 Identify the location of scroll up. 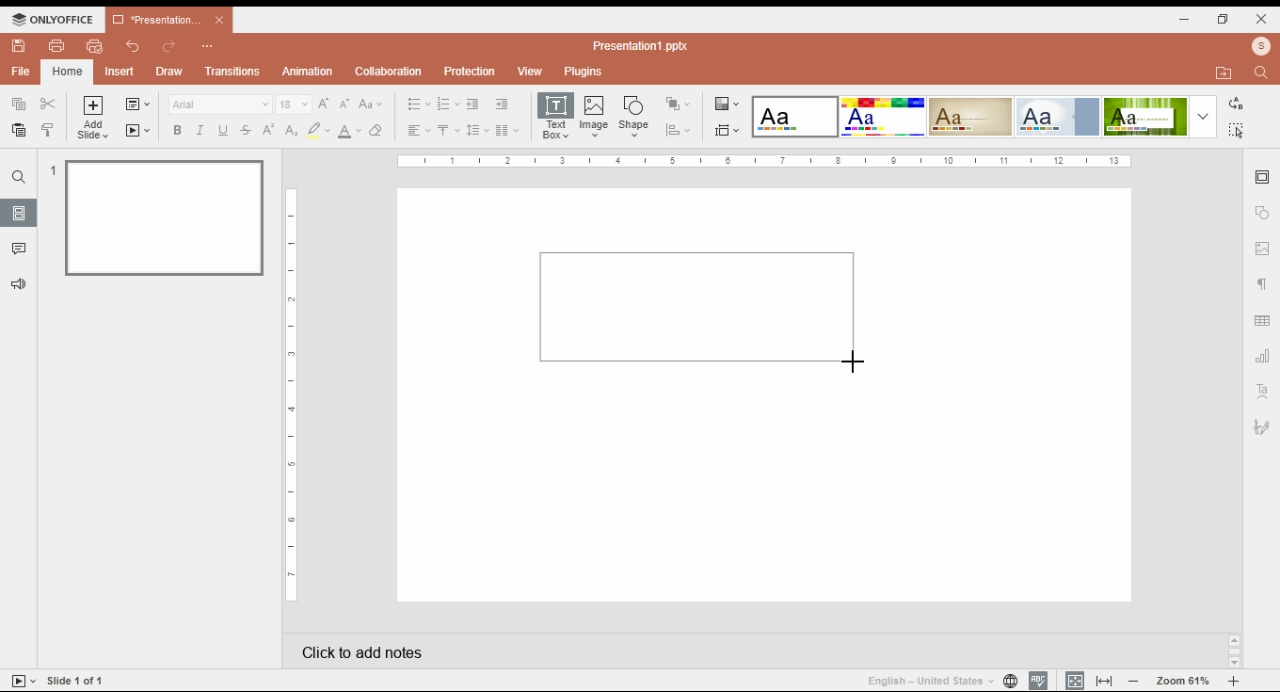
(1234, 641).